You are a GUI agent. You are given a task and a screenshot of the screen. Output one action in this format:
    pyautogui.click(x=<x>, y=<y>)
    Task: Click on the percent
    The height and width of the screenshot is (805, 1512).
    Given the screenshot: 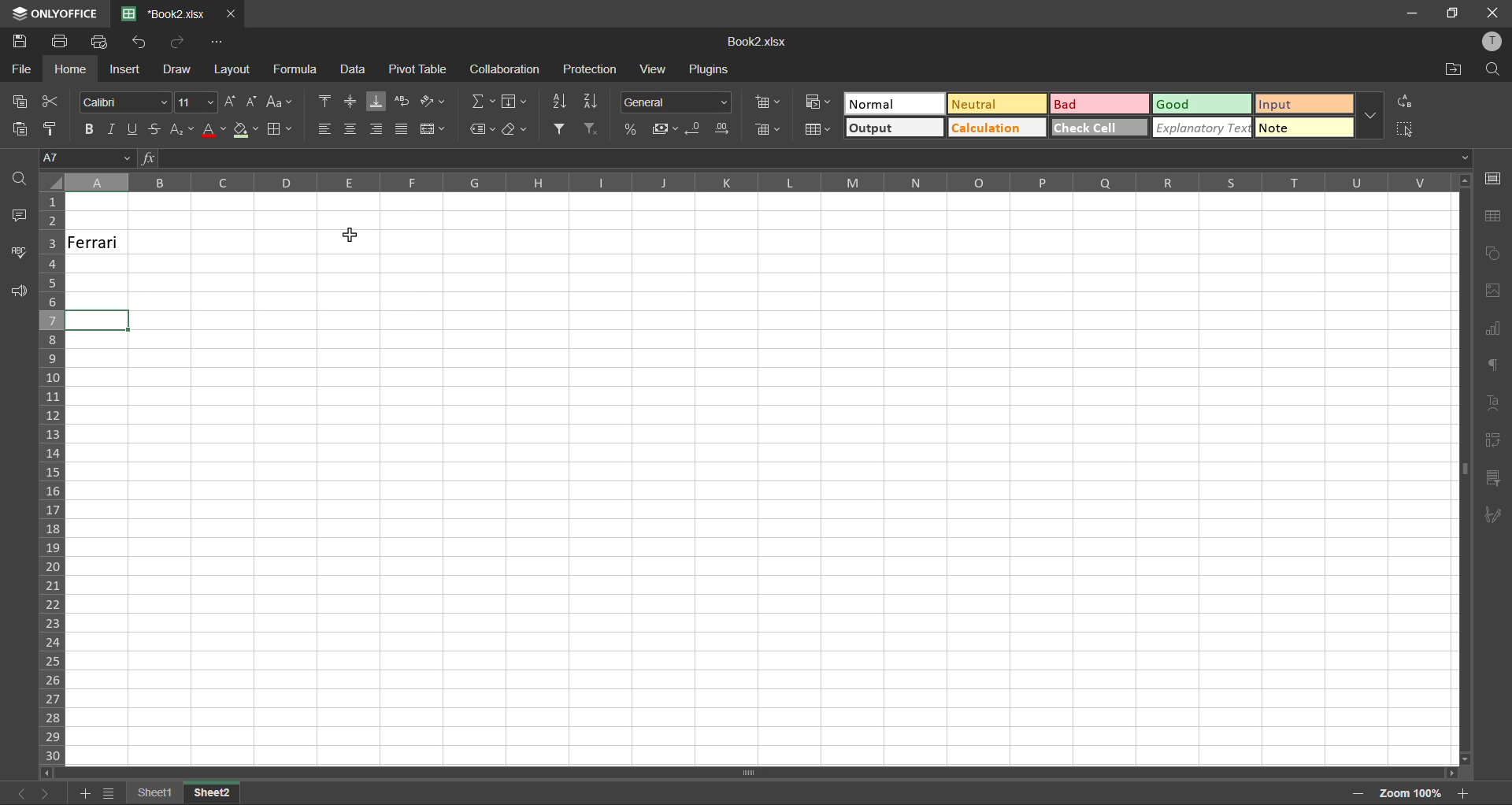 What is the action you would take?
    pyautogui.click(x=631, y=129)
    